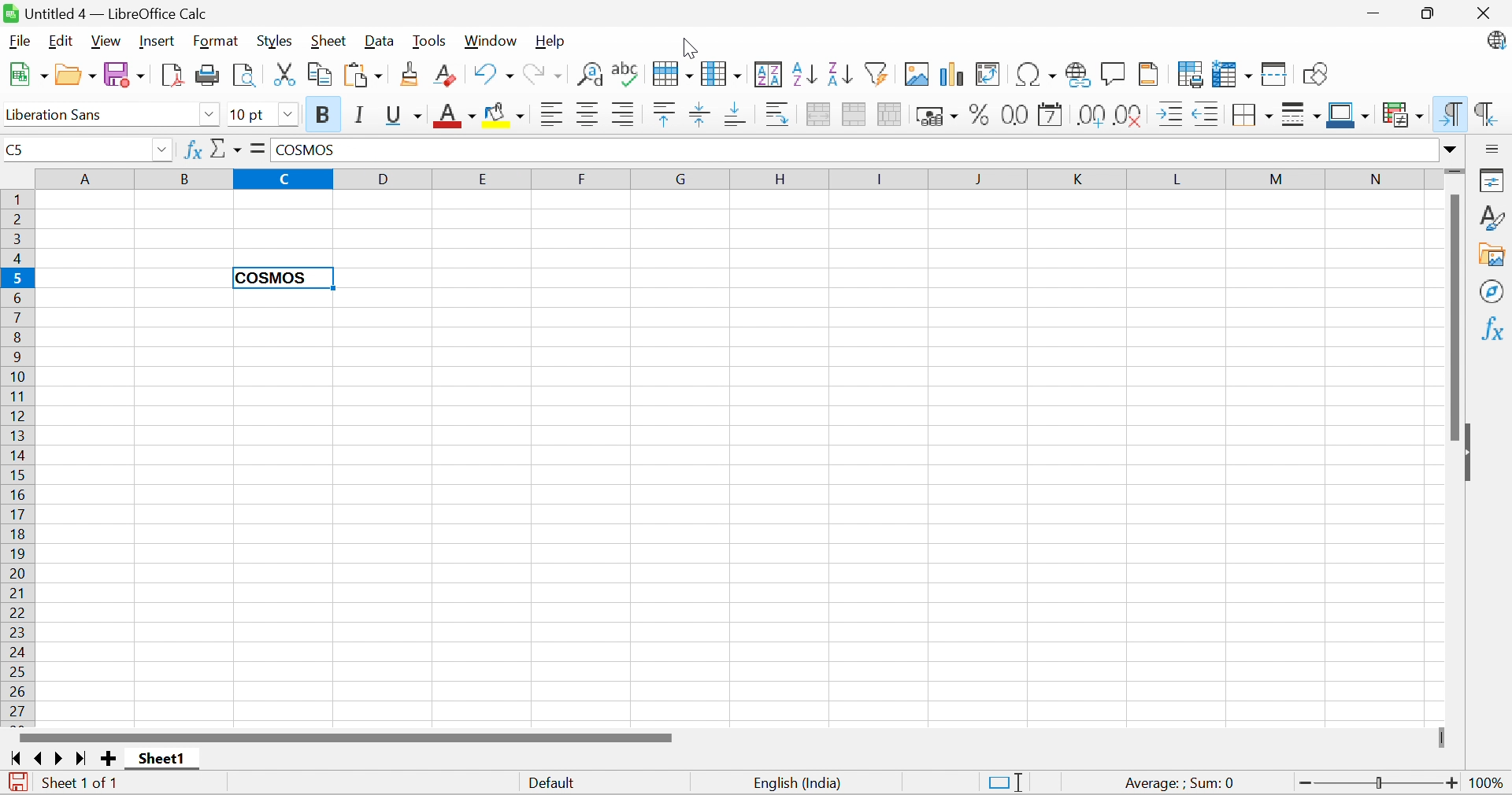 The height and width of the screenshot is (795, 1512). I want to click on Column Name, so click(732, 177).